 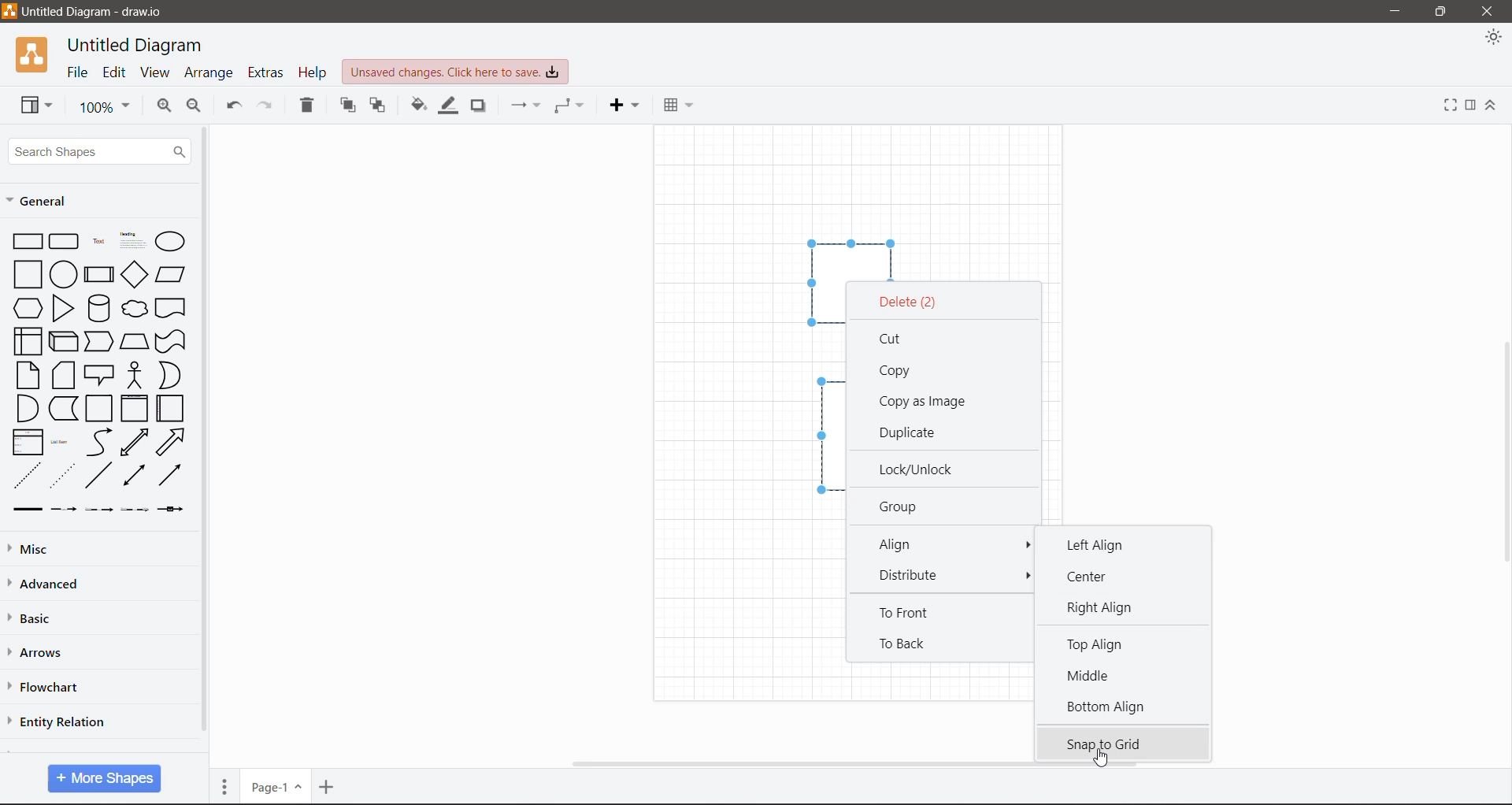 I want to click on Line Color, so click(x=447, y=107).